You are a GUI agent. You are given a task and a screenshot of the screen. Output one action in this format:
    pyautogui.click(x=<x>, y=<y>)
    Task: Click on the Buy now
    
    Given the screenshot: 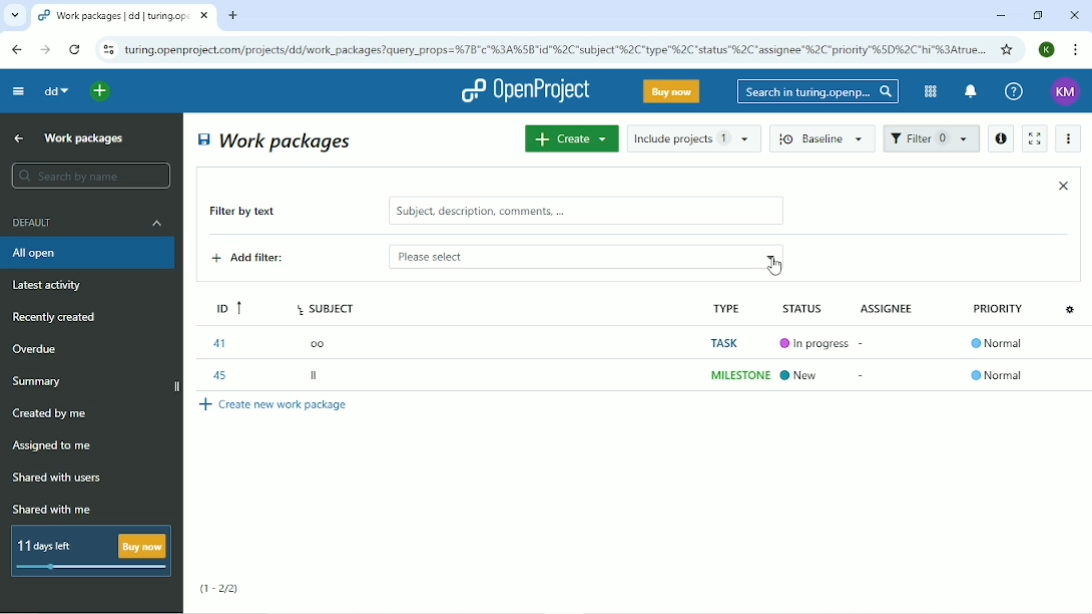 What is the action you would take?
    pyautogui.click(x=672, y=91)
    